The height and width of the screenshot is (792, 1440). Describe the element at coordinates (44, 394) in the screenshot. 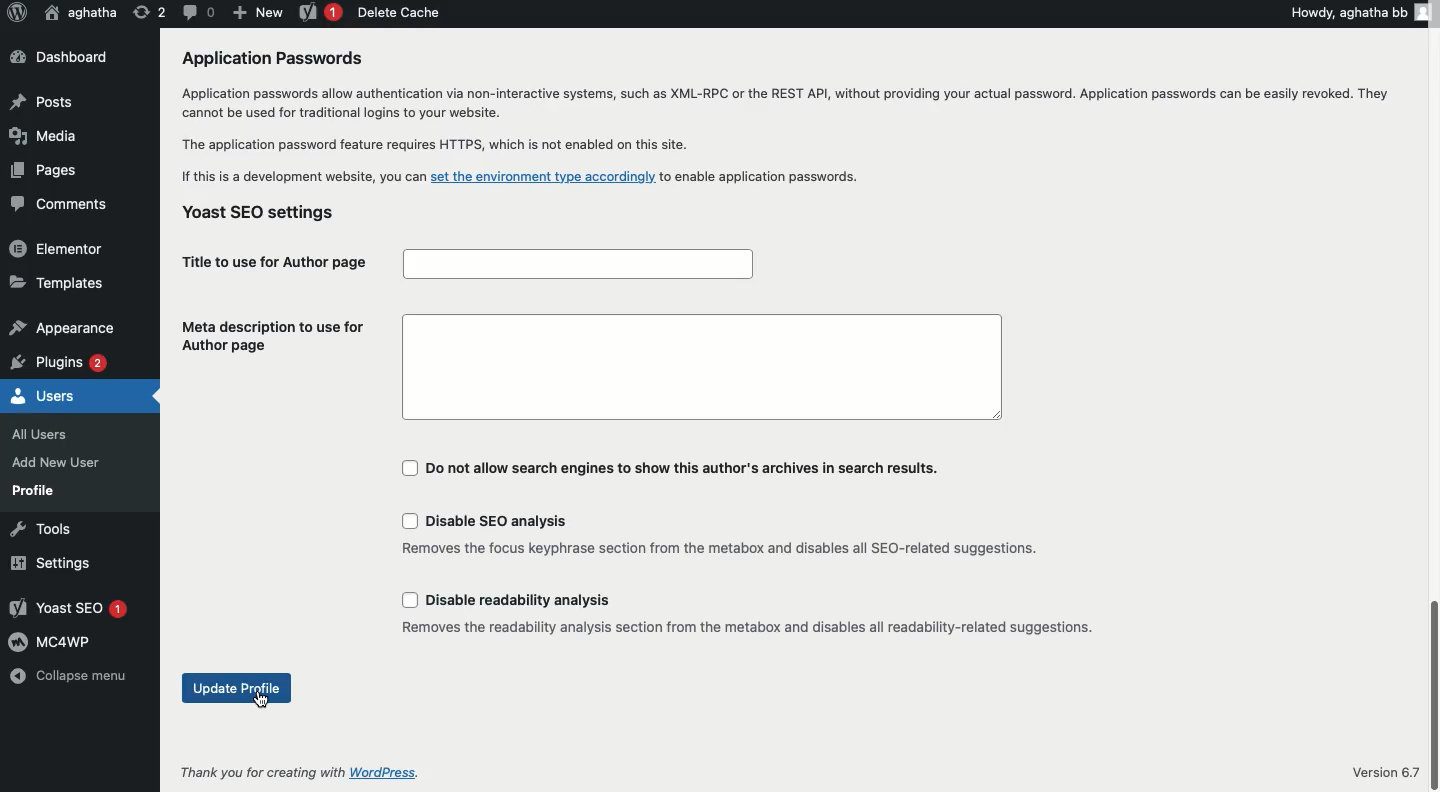

I see `Users` at that location.